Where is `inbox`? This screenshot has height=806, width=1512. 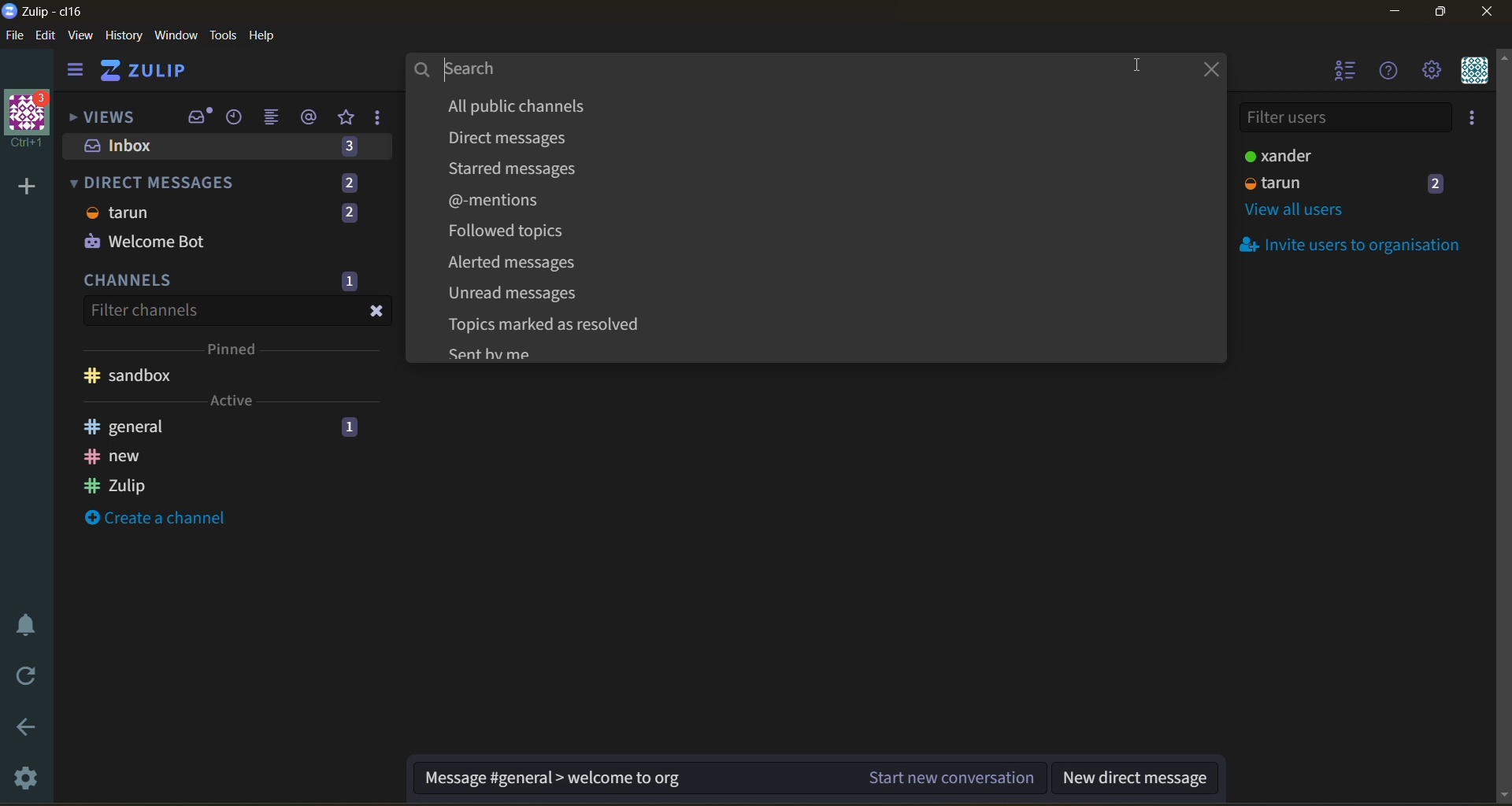
inbox is located at coordinates (198, 116).